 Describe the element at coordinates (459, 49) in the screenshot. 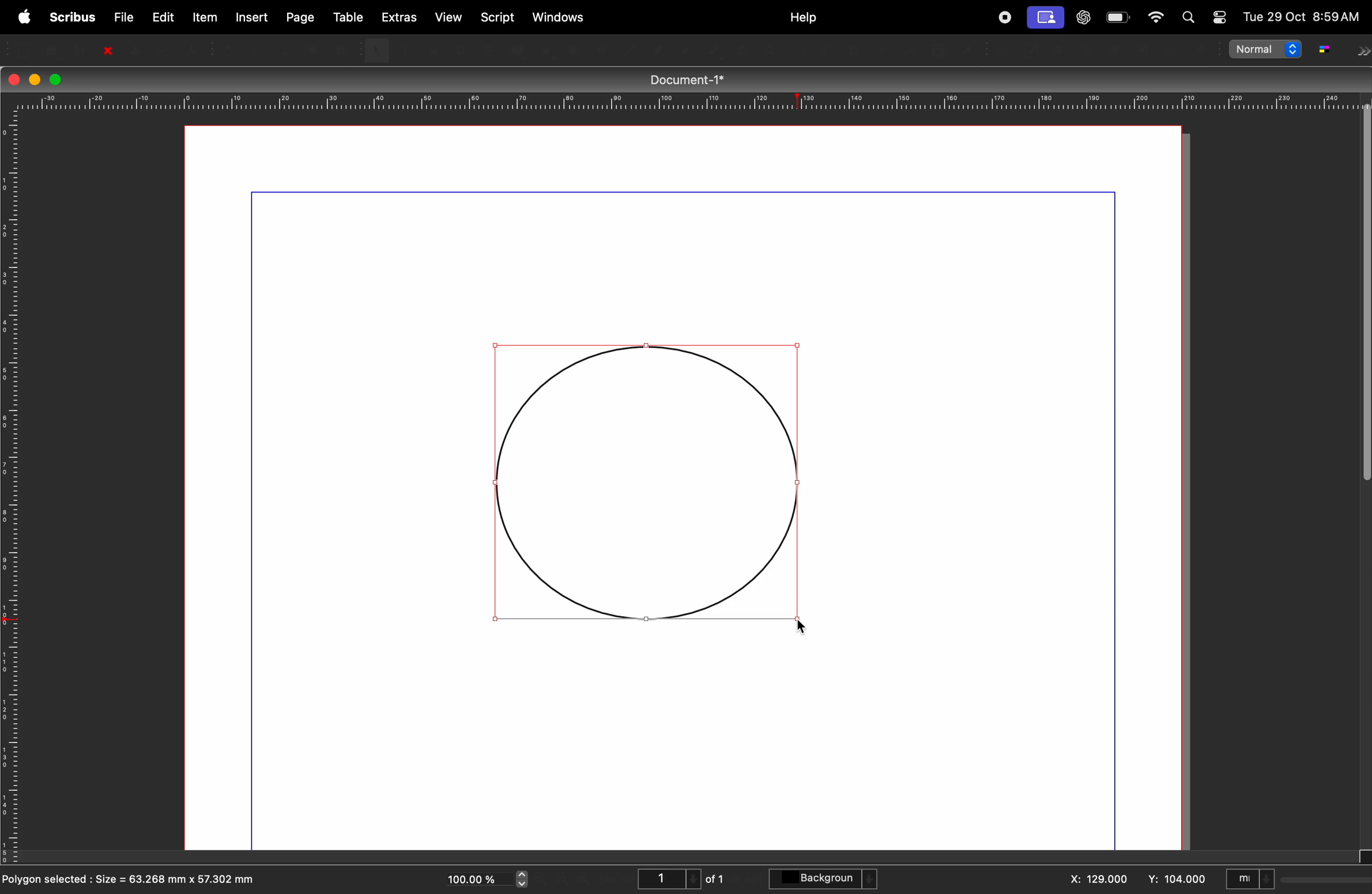

I see `Render frame` at that location.